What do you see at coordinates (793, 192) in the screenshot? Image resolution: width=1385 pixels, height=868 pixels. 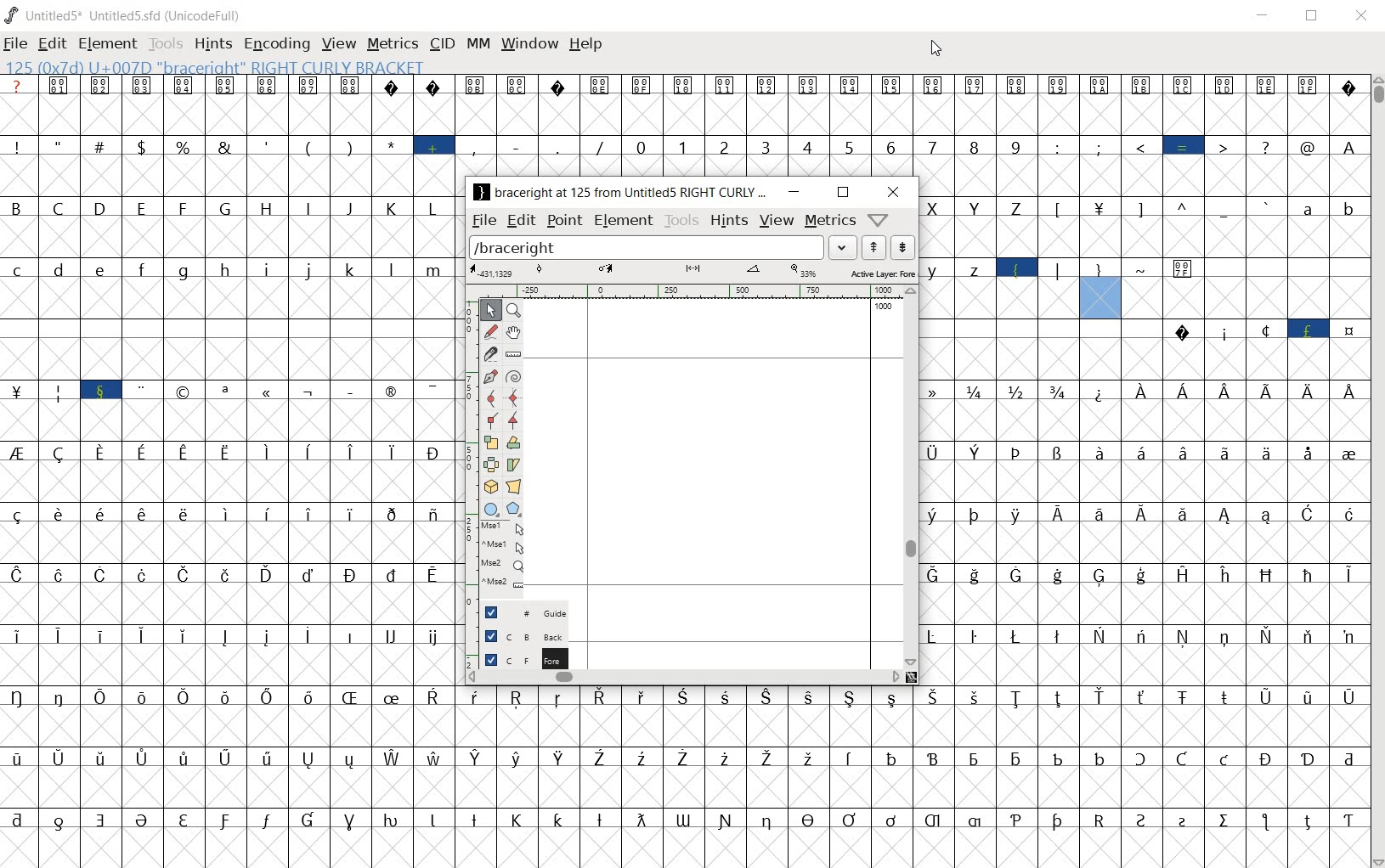 I see `minimize` at bounding box center [793, 192].